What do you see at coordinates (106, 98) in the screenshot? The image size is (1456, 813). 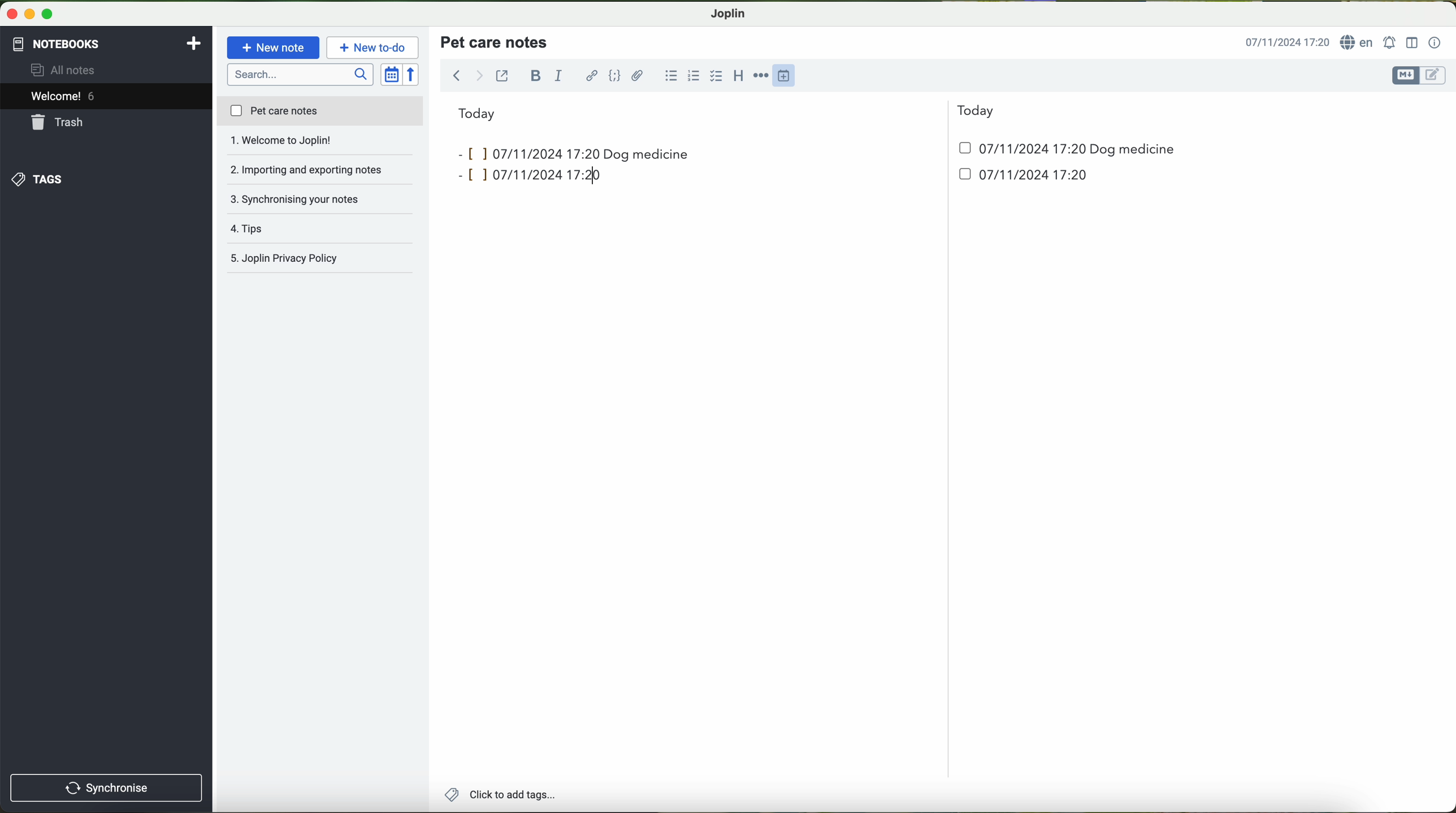 I see `welcome` at bounding box center [106, 98].